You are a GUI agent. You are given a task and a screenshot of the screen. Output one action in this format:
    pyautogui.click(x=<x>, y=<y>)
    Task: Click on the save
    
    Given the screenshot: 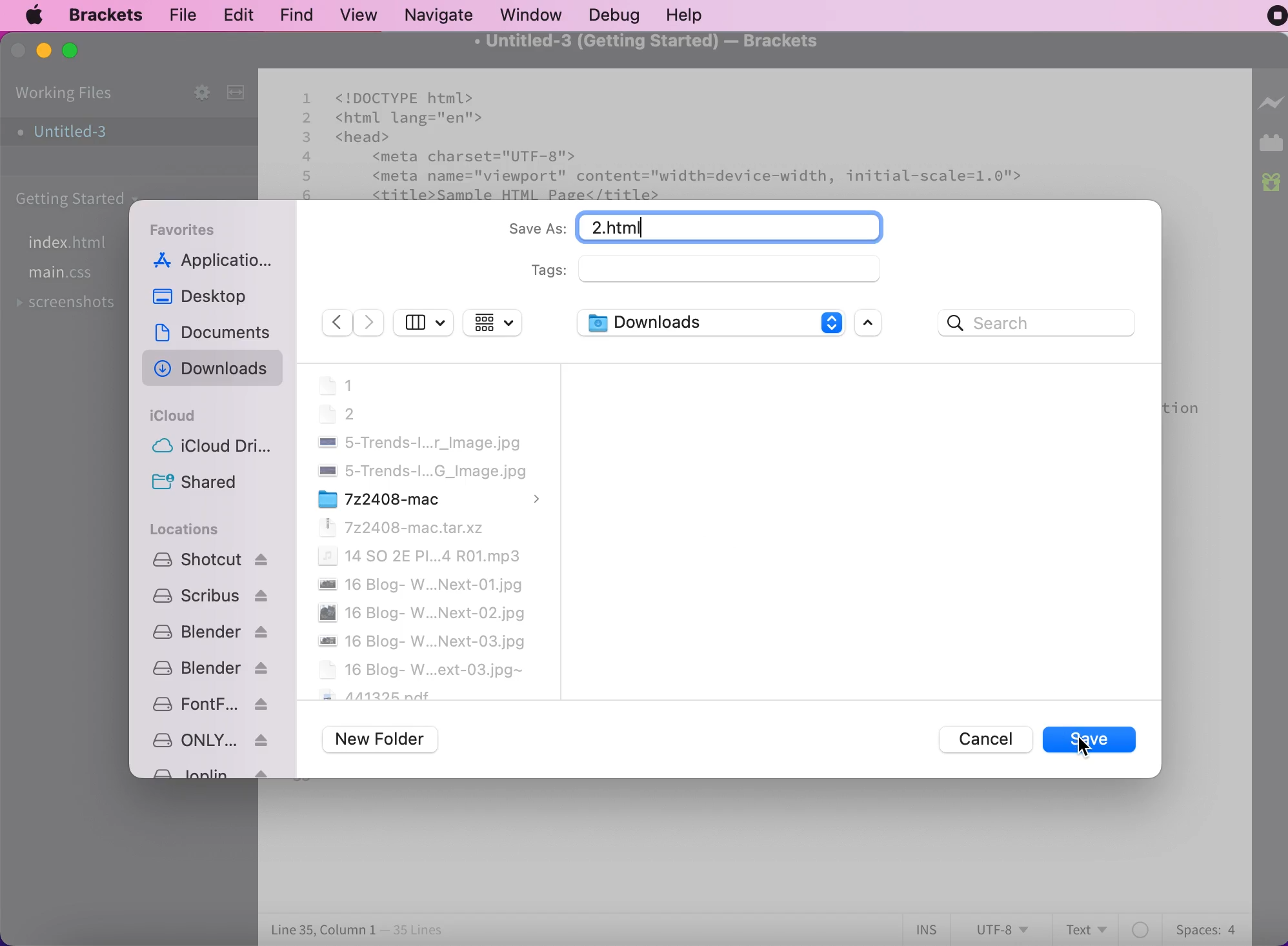 What is the action you would take?
    pyautogui.click(x=1093, y=741)
    